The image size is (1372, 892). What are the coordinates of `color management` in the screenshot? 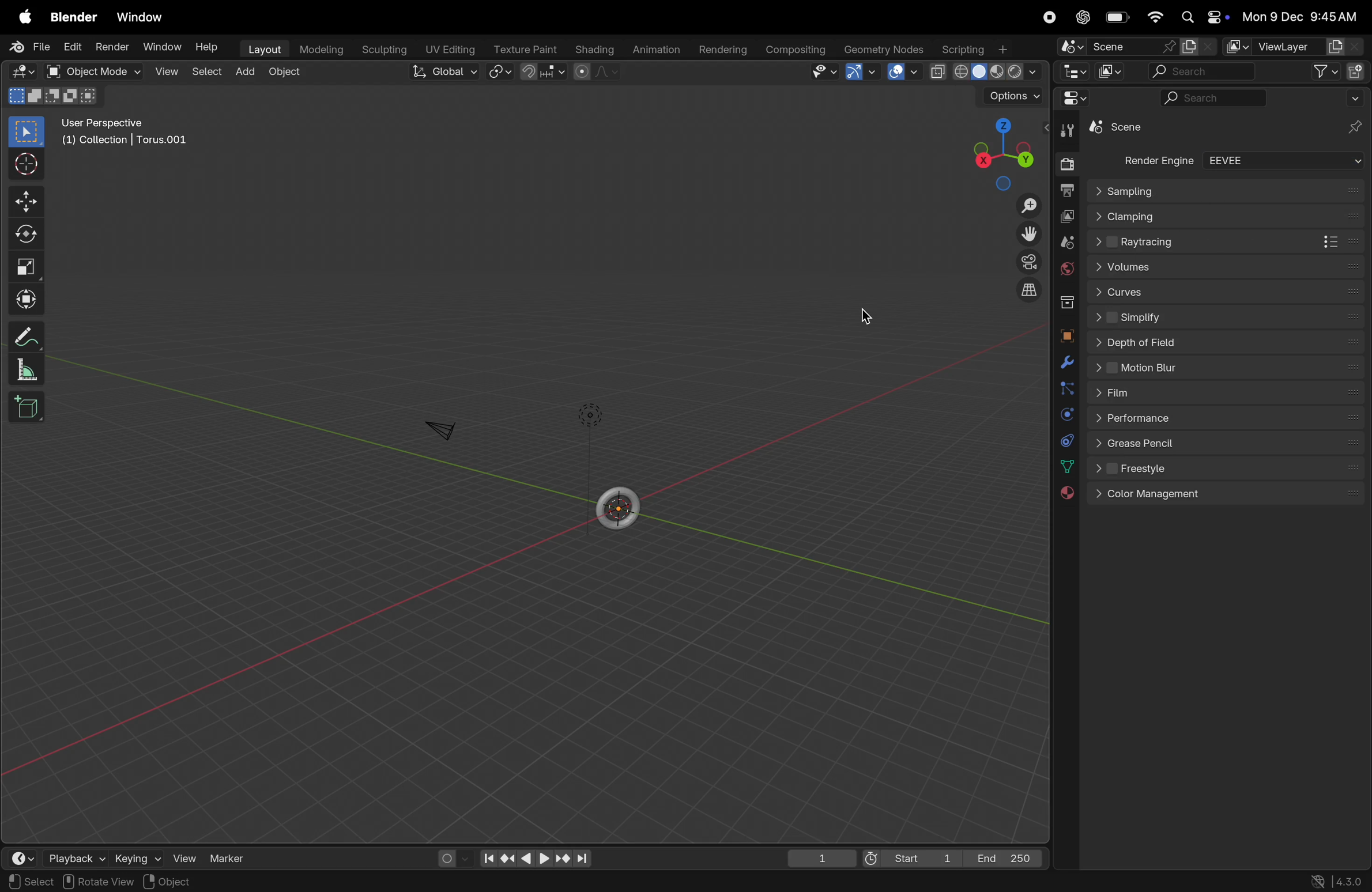 It's located at (1231, 495).